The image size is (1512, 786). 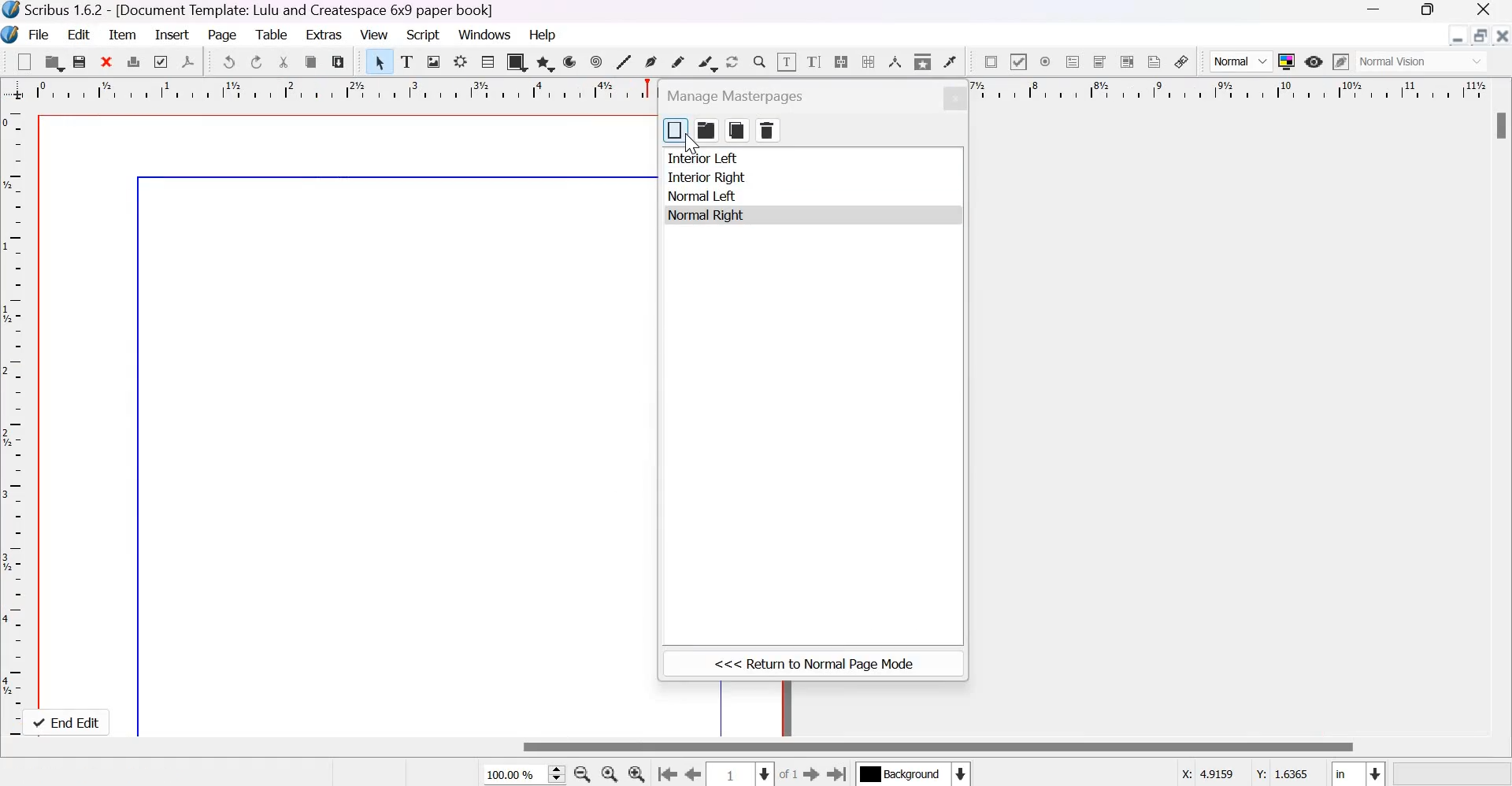 I want to click on copy, so click(x=312, y=62).